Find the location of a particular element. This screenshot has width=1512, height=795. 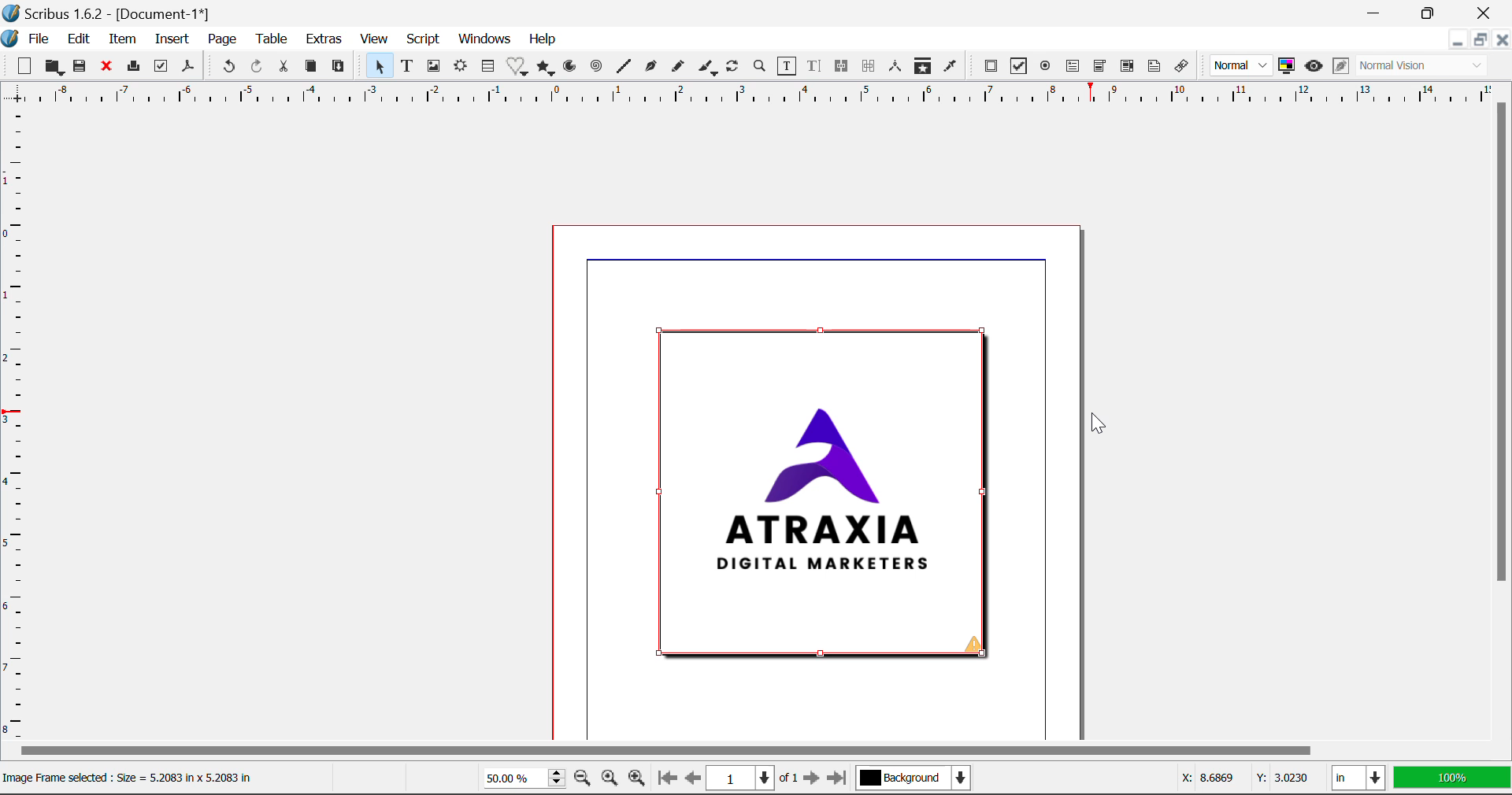

Edit in preview mode is located at coordinates (1341, 68).